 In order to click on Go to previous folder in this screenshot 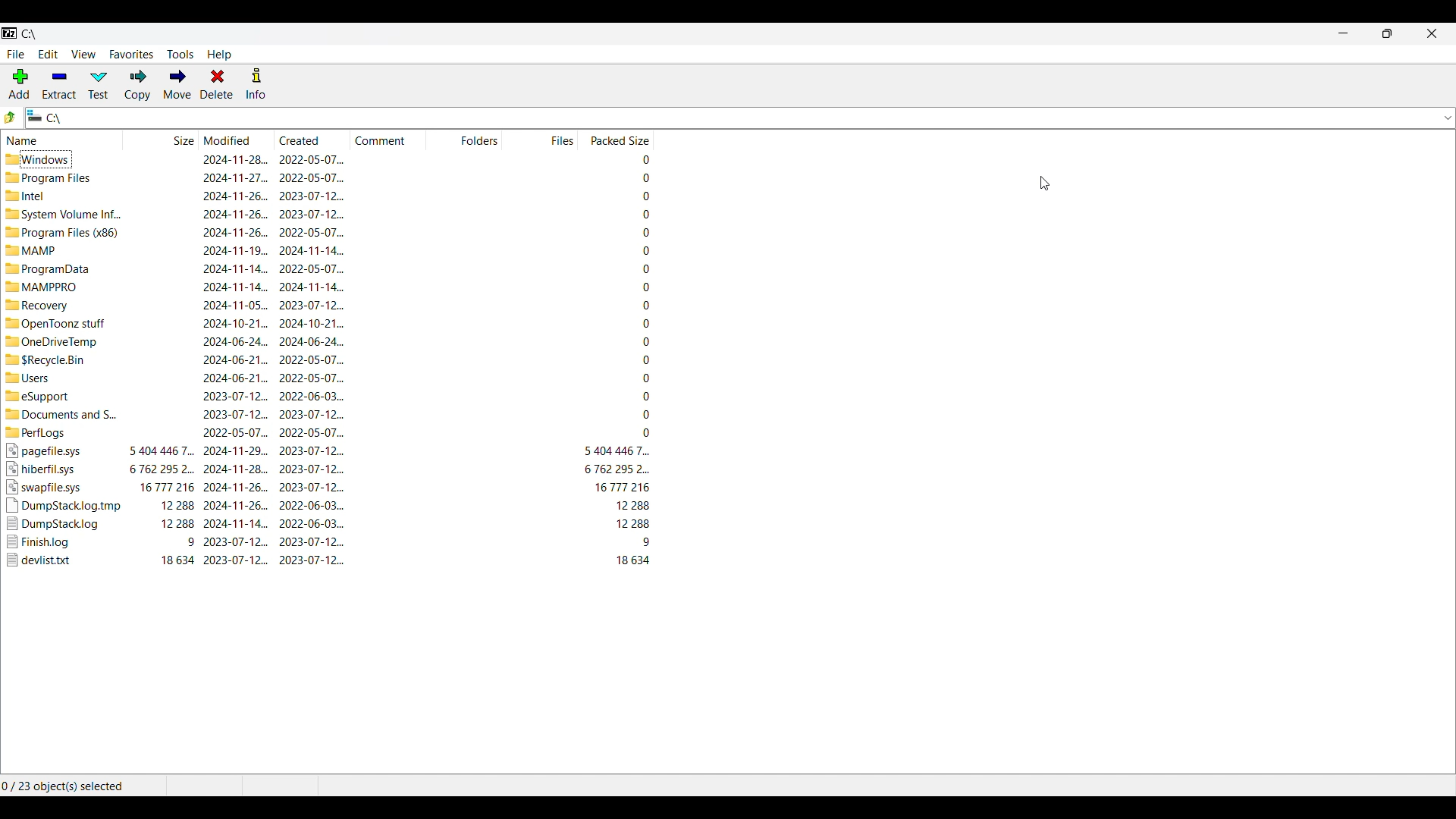, I will do `click(11, 118)`.